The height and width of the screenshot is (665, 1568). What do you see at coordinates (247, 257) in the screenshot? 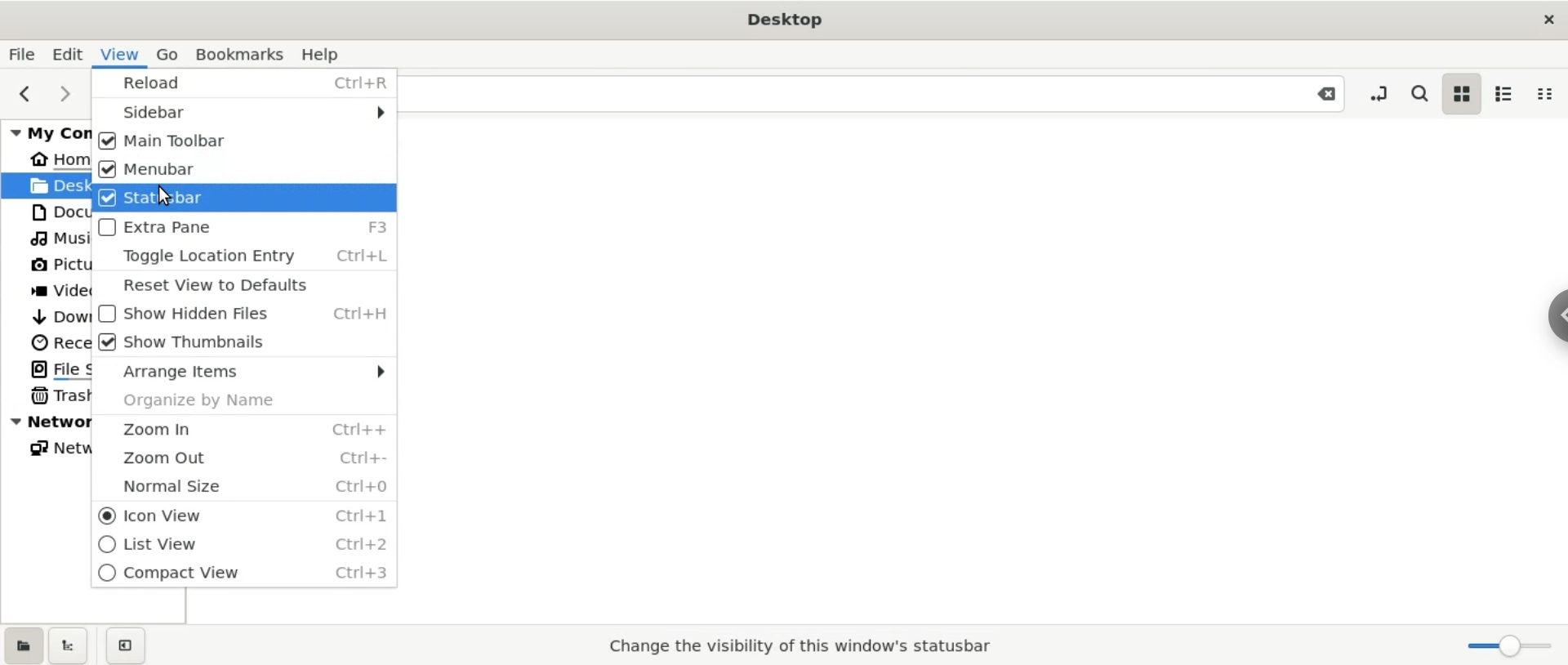
I see `Toggle Location Entry` at bounding box center [247, 257].